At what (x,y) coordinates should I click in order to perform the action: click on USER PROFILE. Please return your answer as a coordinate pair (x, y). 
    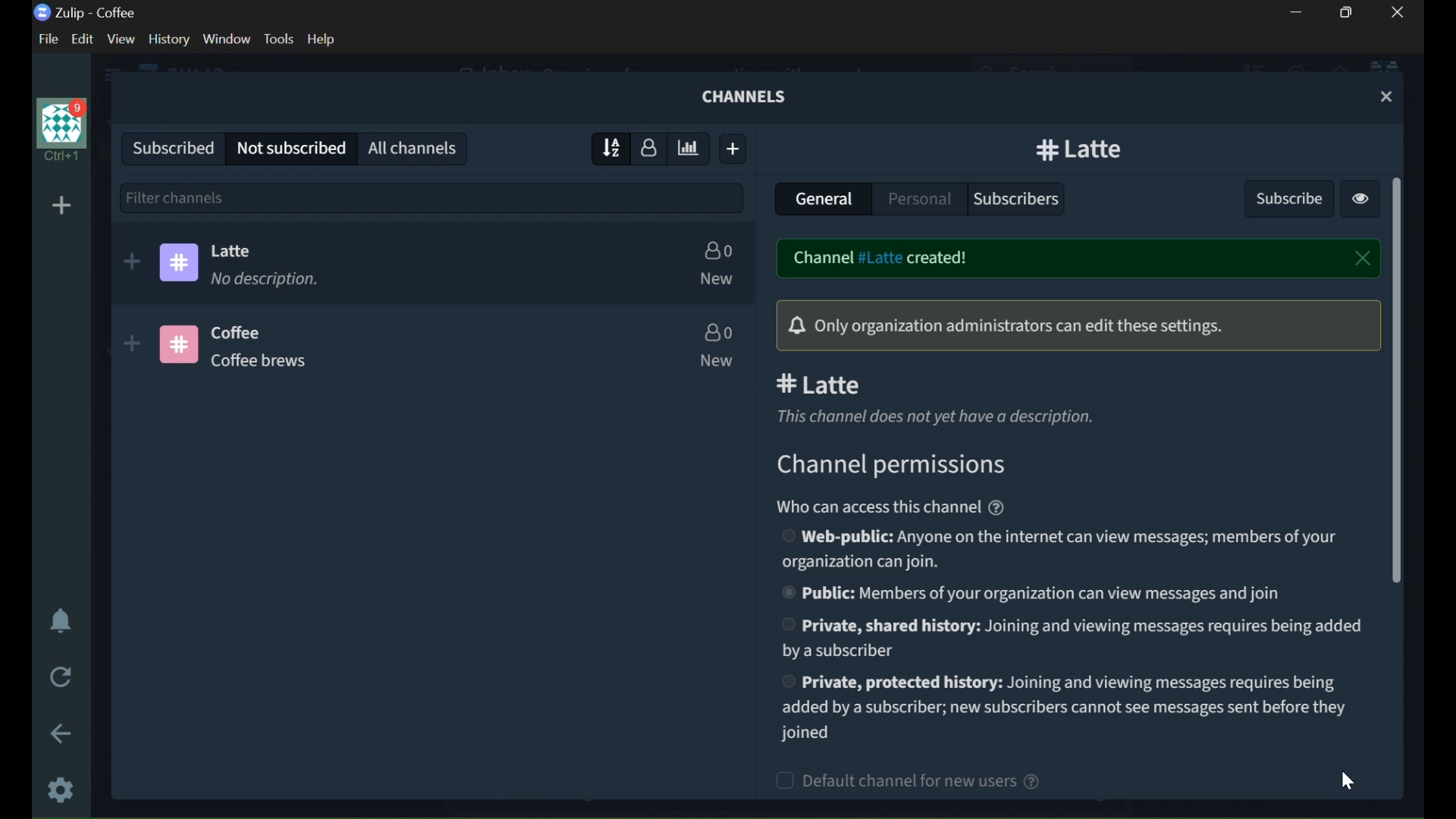
    Looking at the image, I should click on (59, 130).